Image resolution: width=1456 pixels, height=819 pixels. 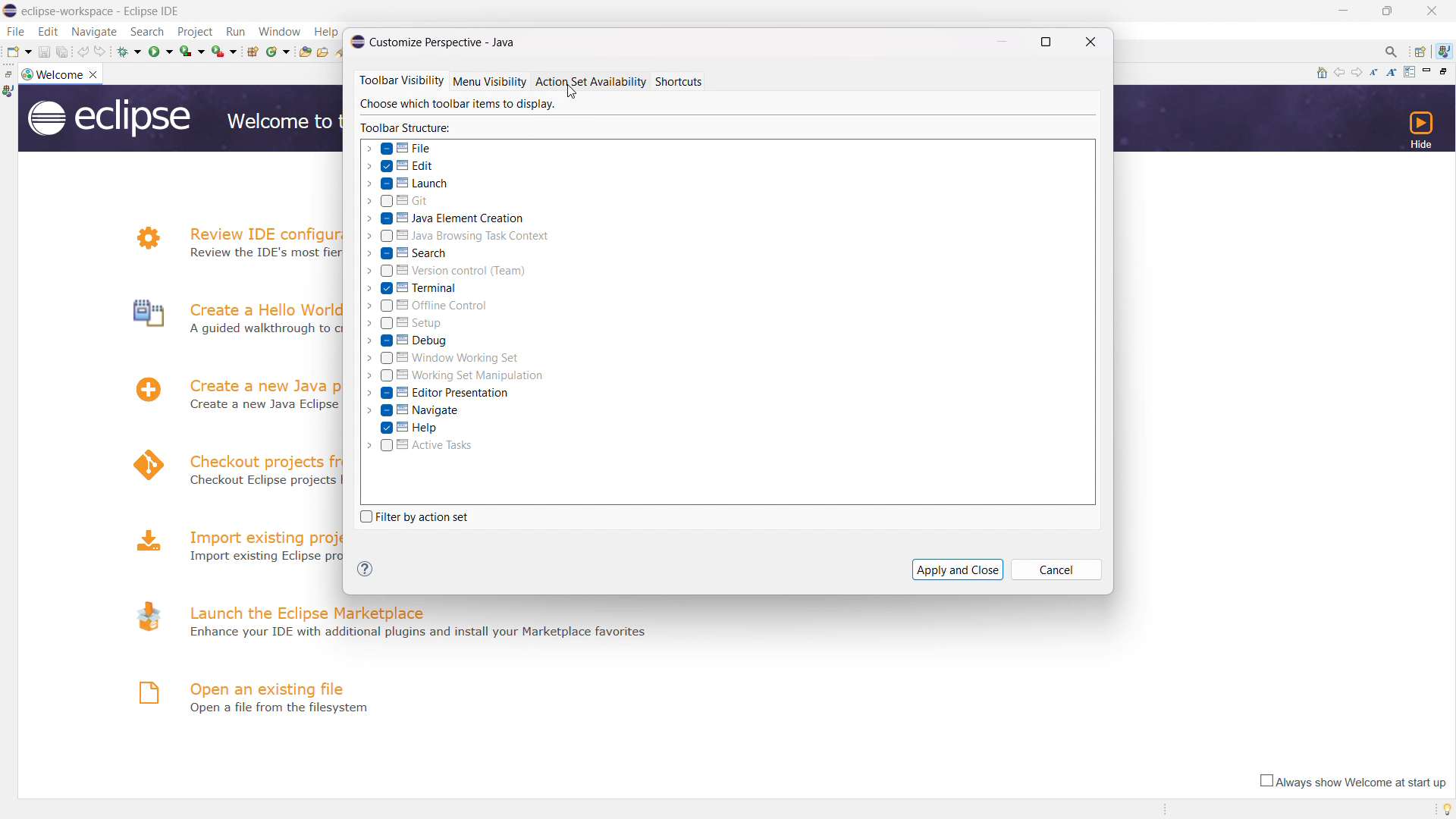 I want to click on debug, so click(x=405, y=340).